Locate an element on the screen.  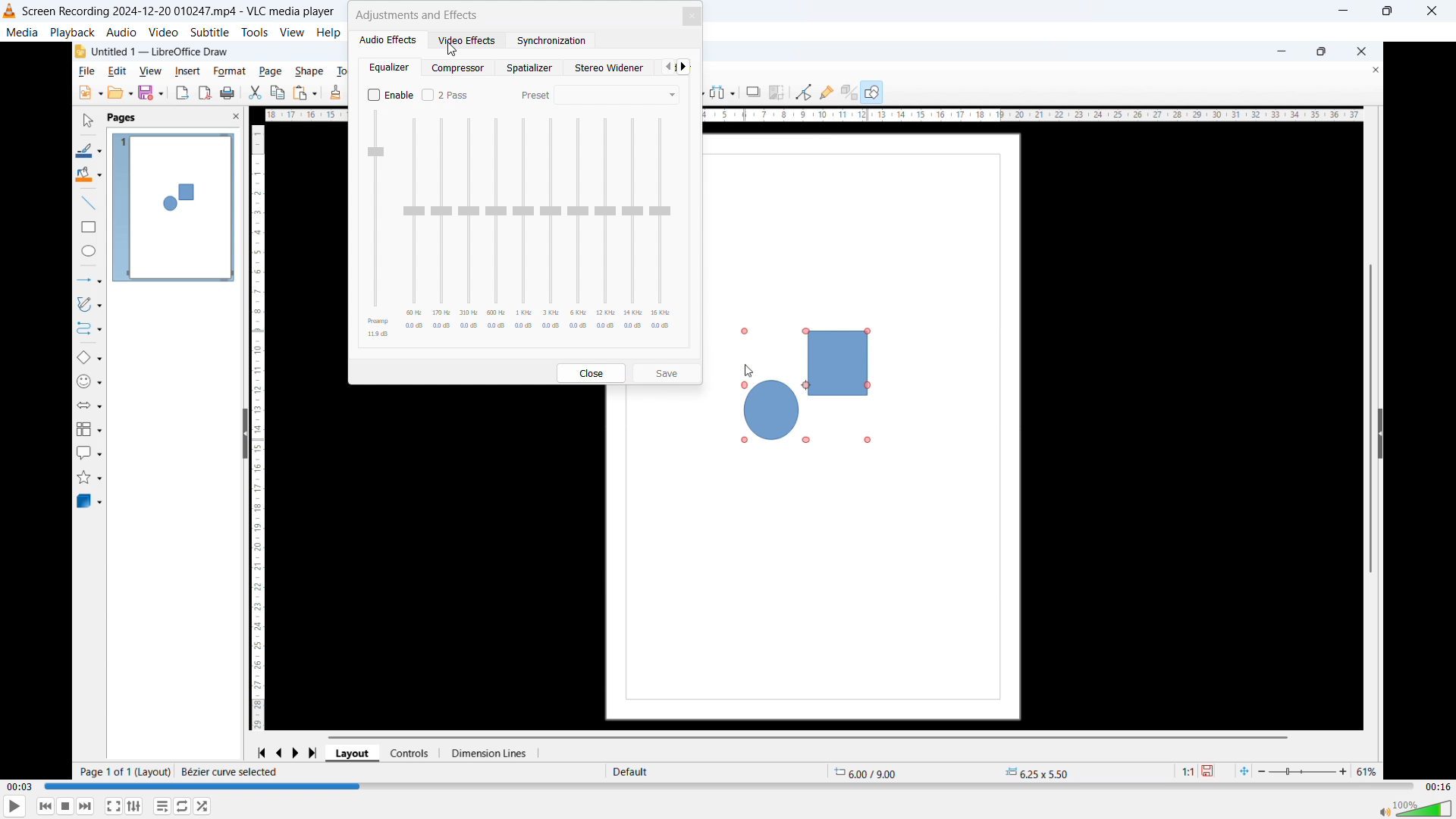
2 pass is located at coordinates (447, 94).